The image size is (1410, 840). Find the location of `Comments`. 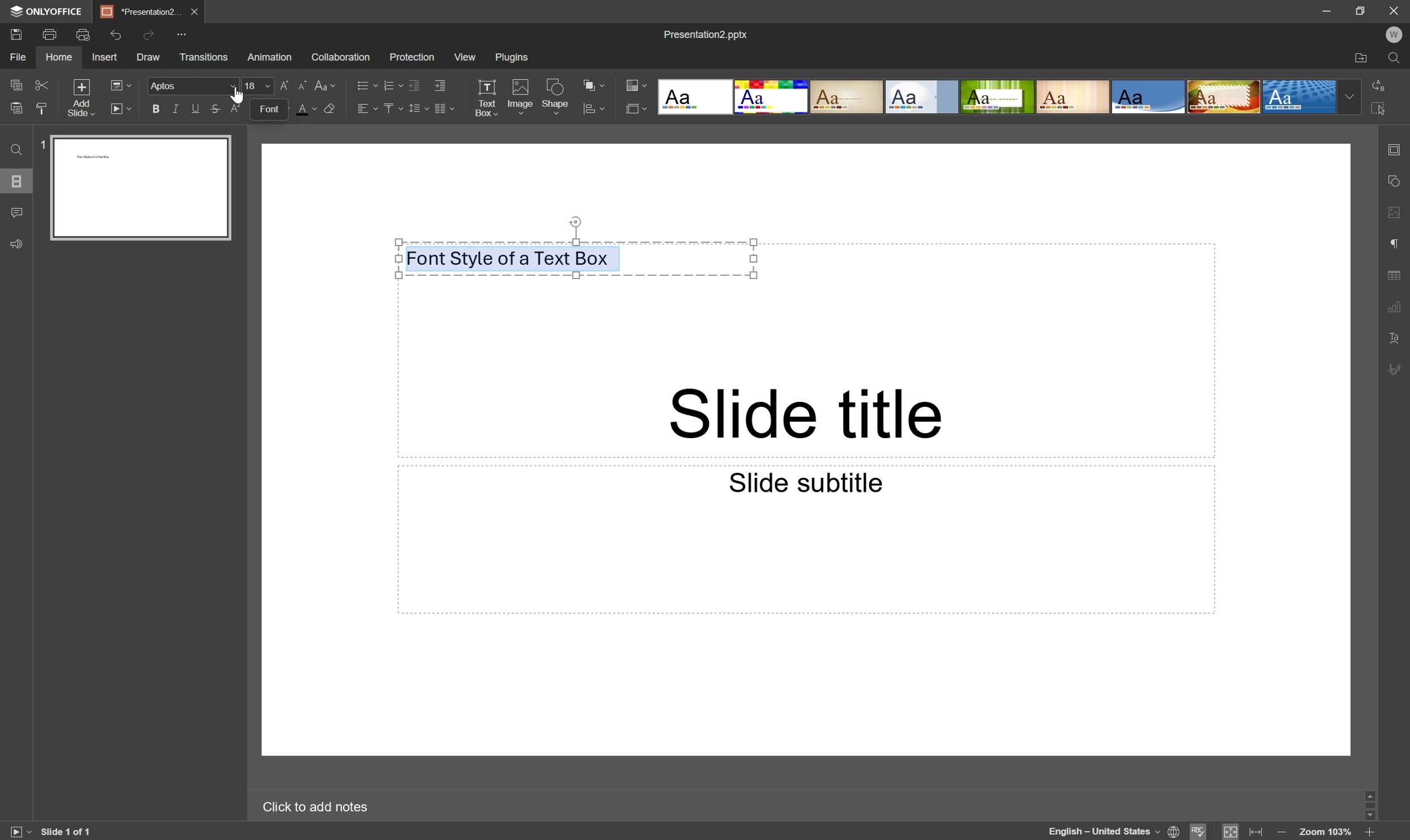

Comments is located at coordinates (19, 211).